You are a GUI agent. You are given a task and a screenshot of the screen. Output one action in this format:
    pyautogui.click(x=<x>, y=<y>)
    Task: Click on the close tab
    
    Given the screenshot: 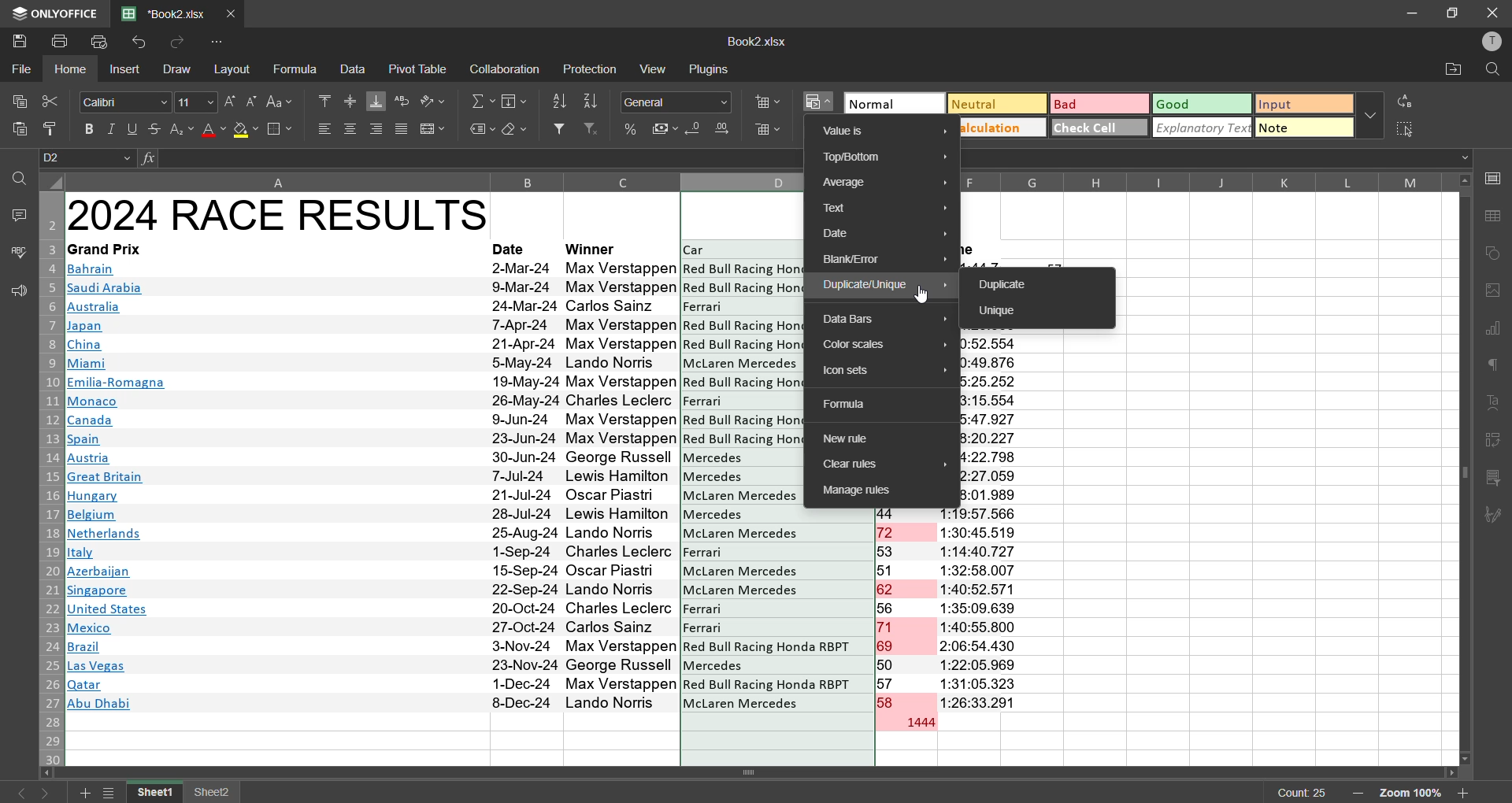 What is the action you would take?
    pyautogui.click(x=235, y=12)
    